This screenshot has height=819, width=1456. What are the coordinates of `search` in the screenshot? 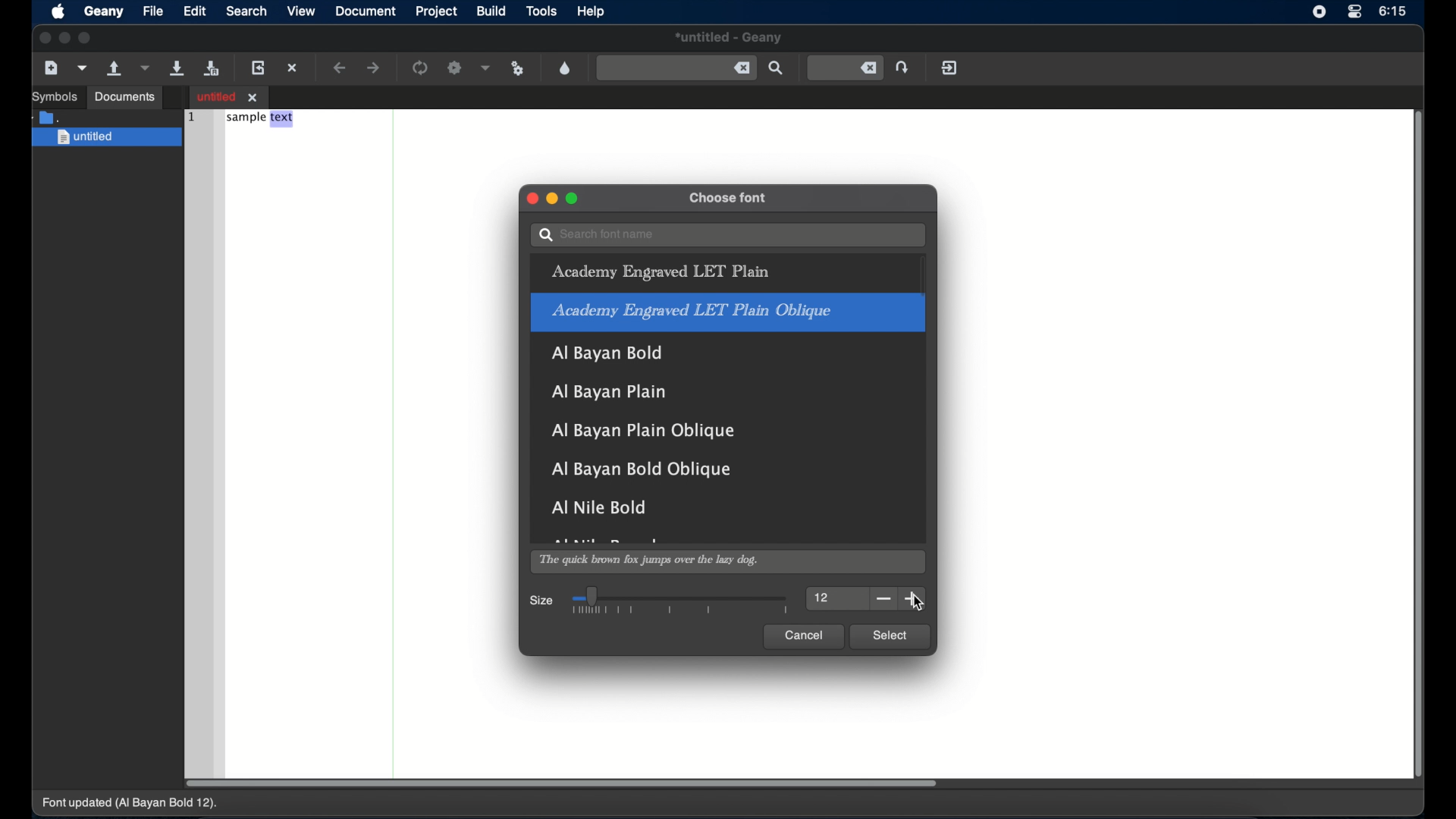 It's located at (247, 11).